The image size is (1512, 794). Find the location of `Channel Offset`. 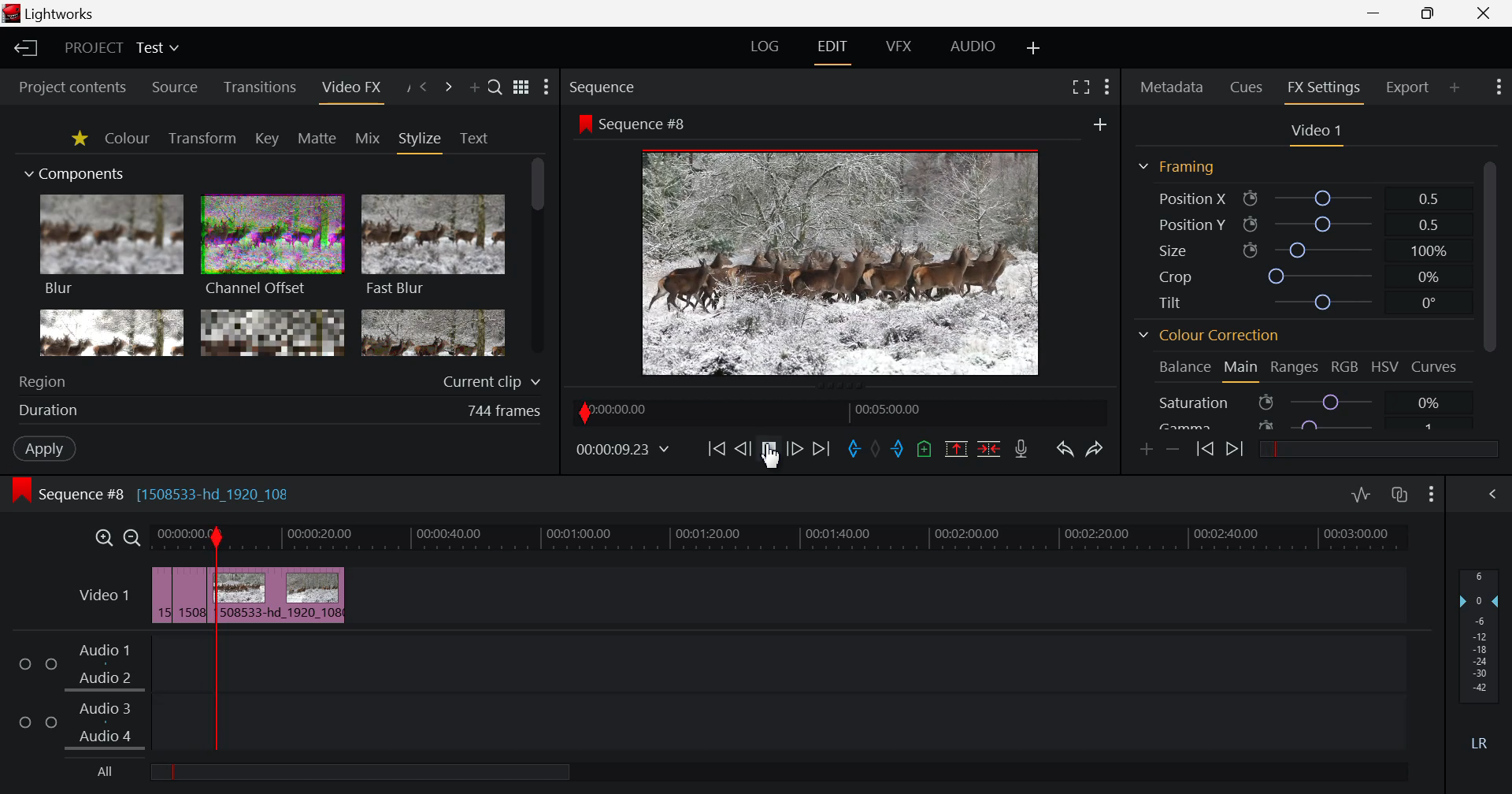

Channel Offset is located at coordinates (272, 247).